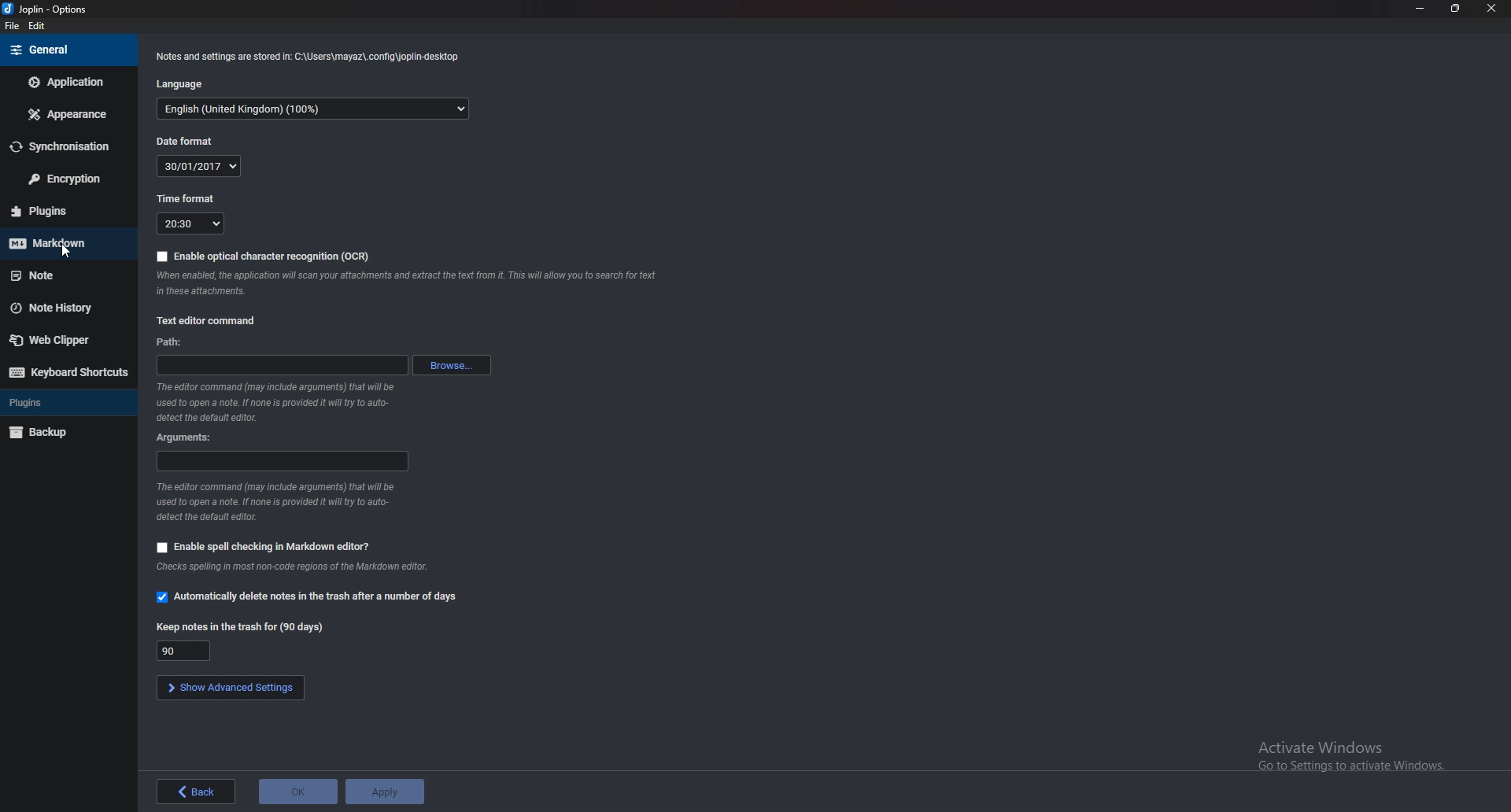  What do you see at coordinates (277, 401) in the screenshot?
I see `The editor command (may include arguments) that will be used to open a note. If none is provided it will try to auto-detect the default editor.` at bounding box center [277, 401].